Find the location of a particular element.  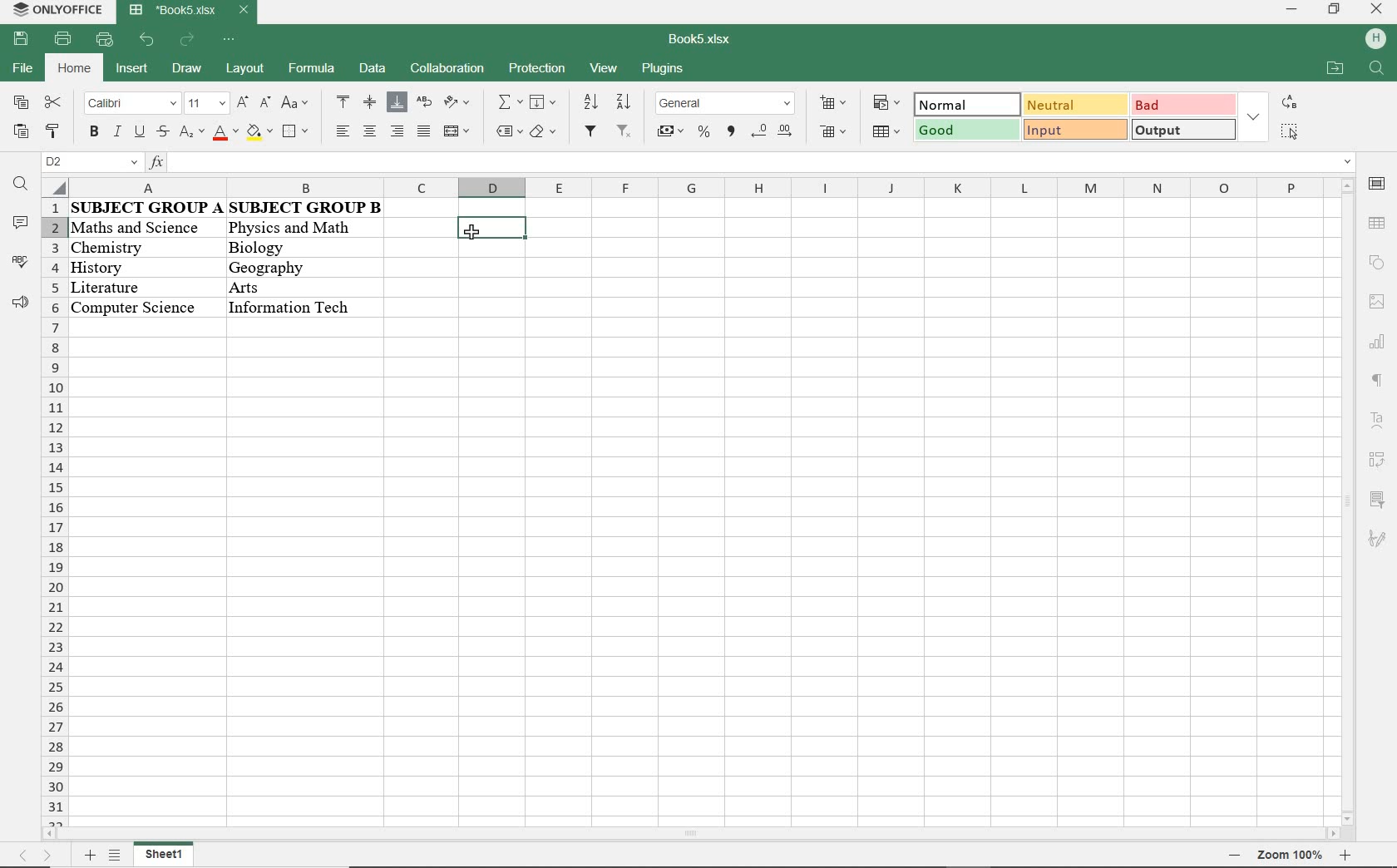

sign is located at coordinates (1372, 417).